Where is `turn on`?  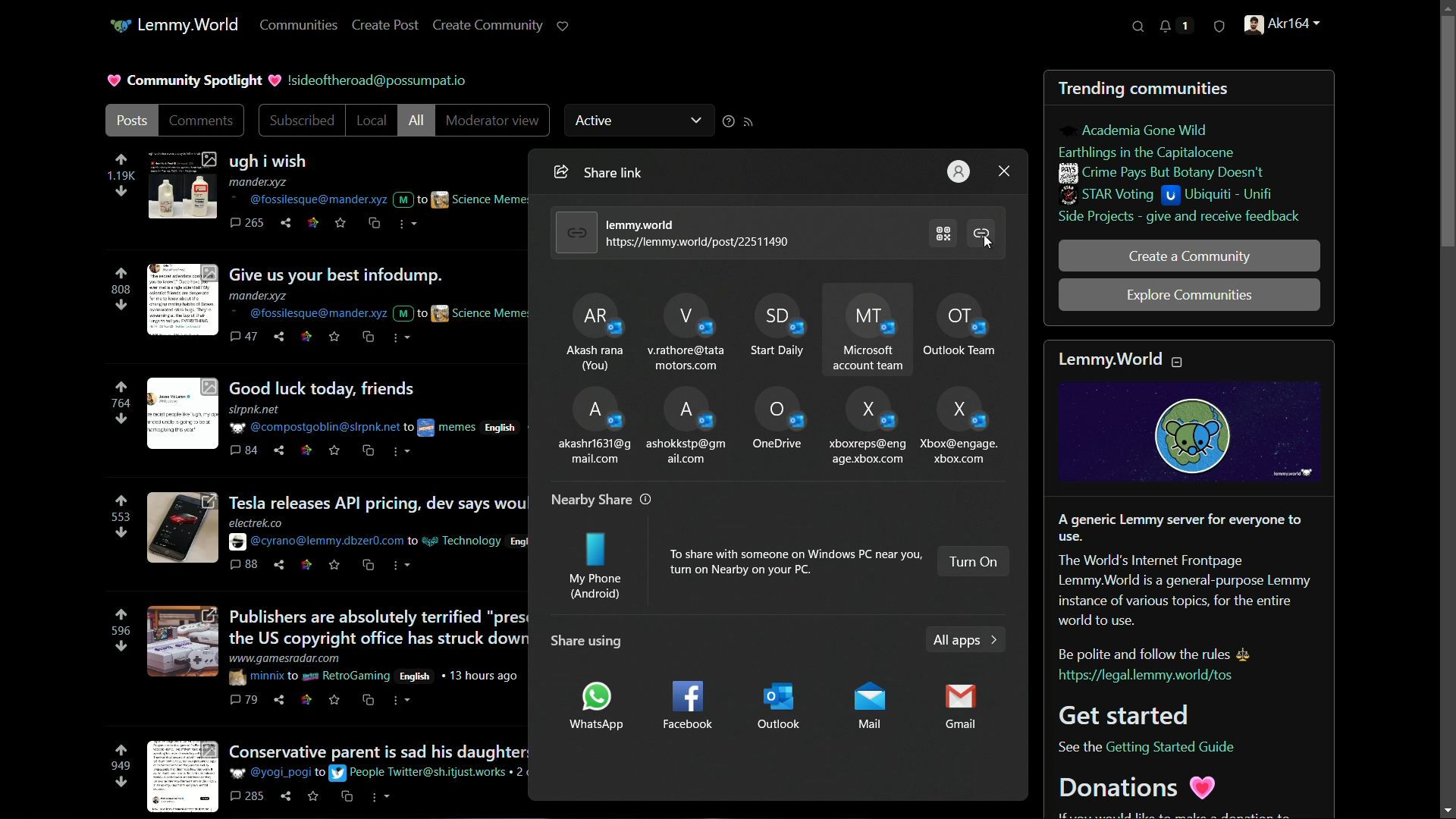
turn on is located at coordinates (974, 561).